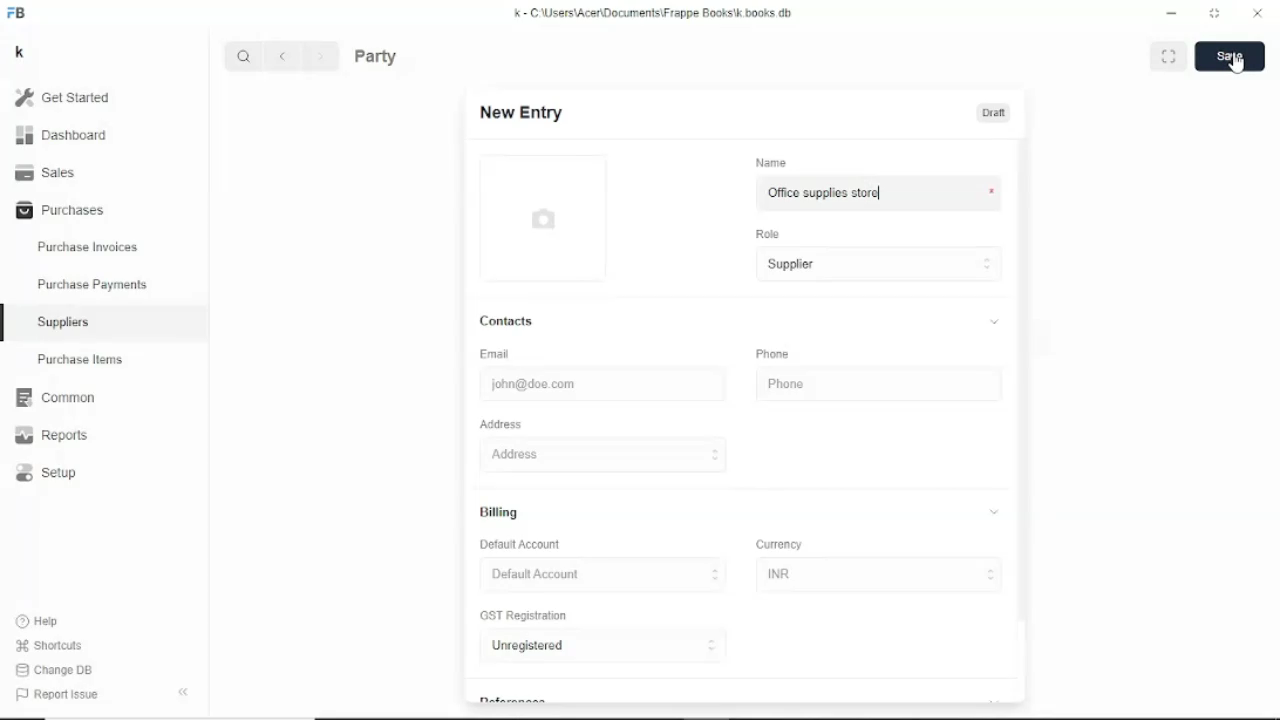 The image size is (1280, 720). I want to click on Dashboard, so click(62, 136).